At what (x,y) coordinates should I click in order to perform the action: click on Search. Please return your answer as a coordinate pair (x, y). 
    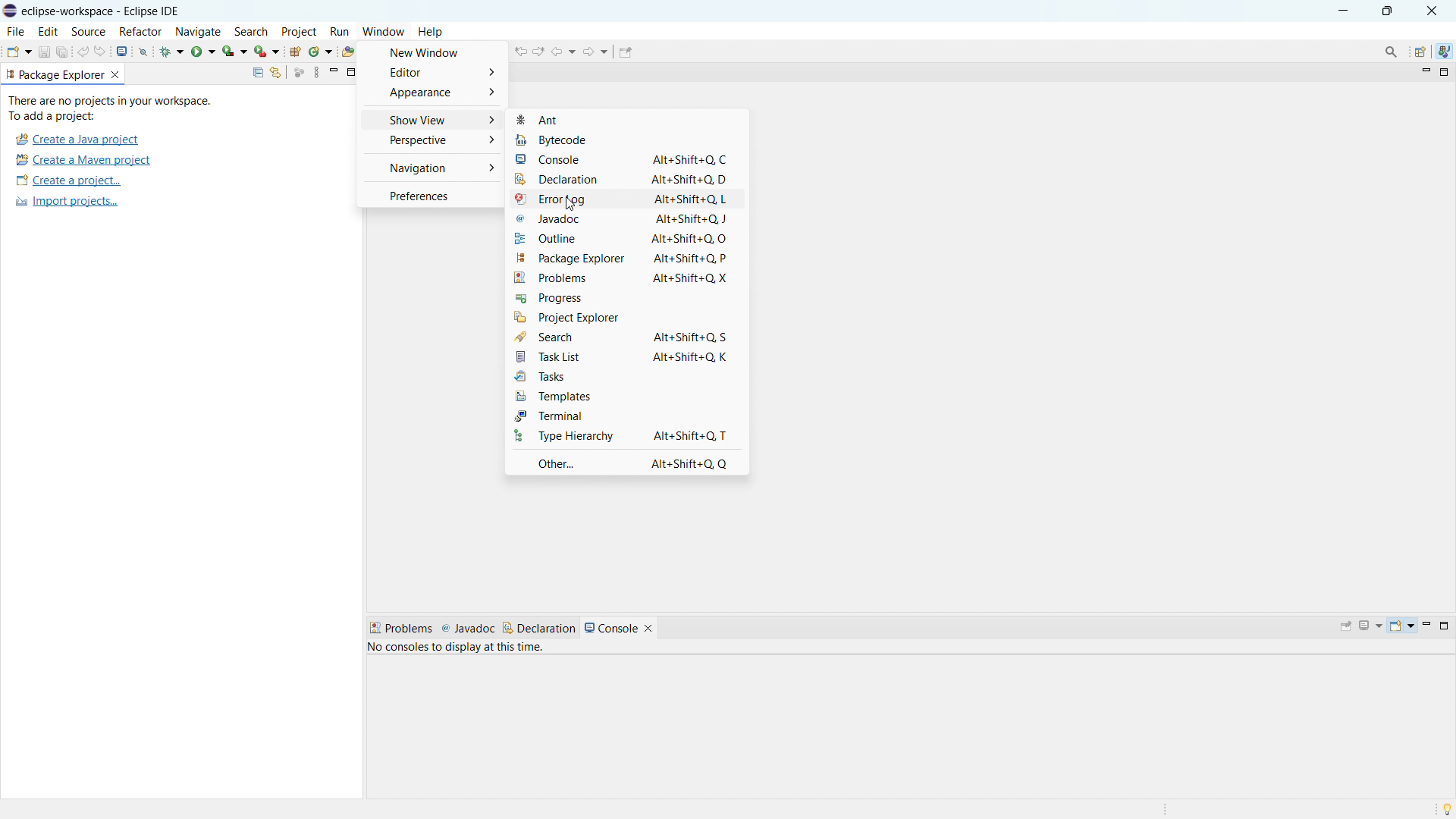
    Looking at the image, I should click on (1387, 50).